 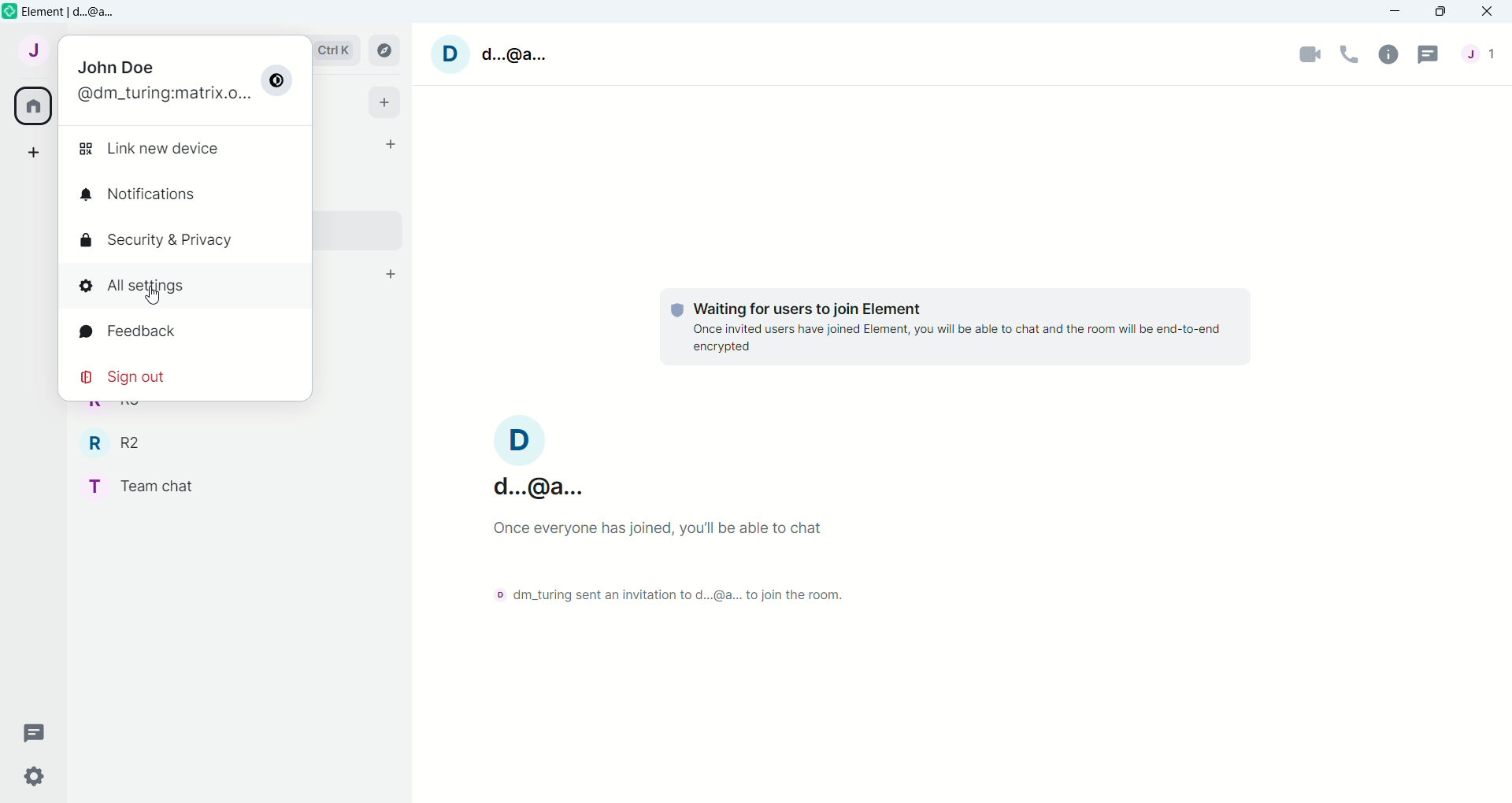 I want to click on All settings, so click(x=138, y=285).